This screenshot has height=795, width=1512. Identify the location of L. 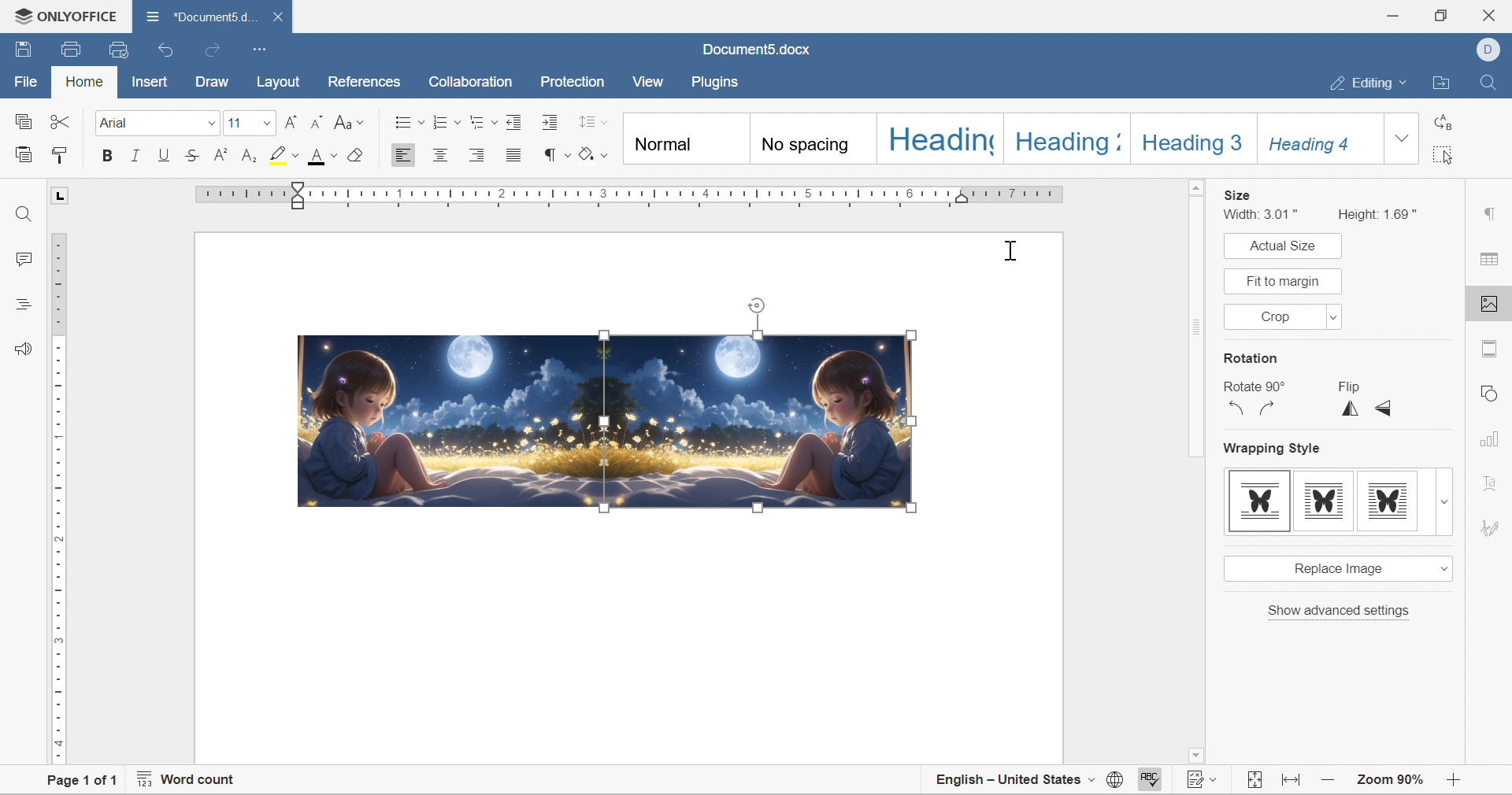
(59, 194).